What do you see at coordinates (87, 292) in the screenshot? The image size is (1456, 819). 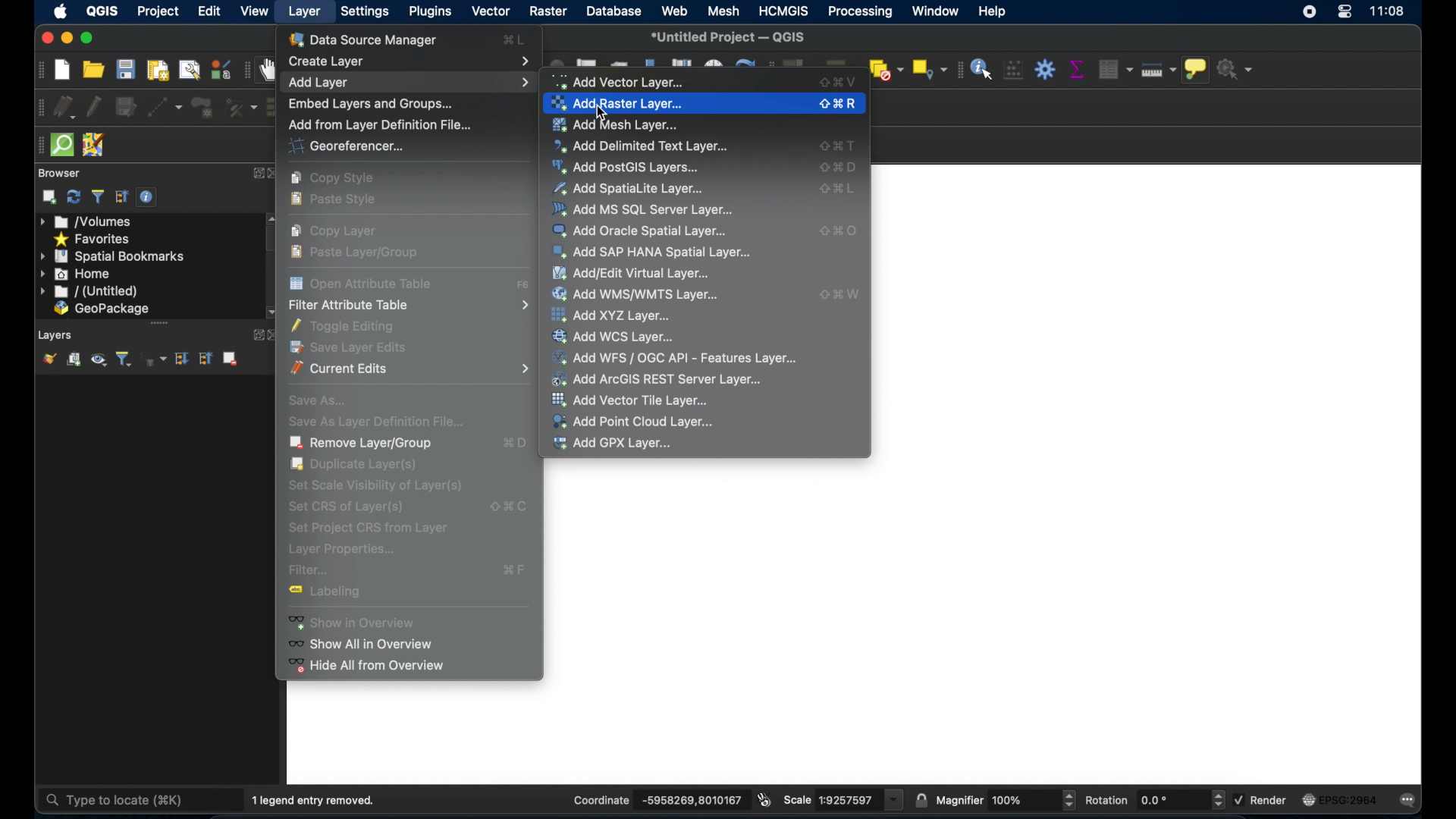 I see `untitled` at bounding box center [87, 292].